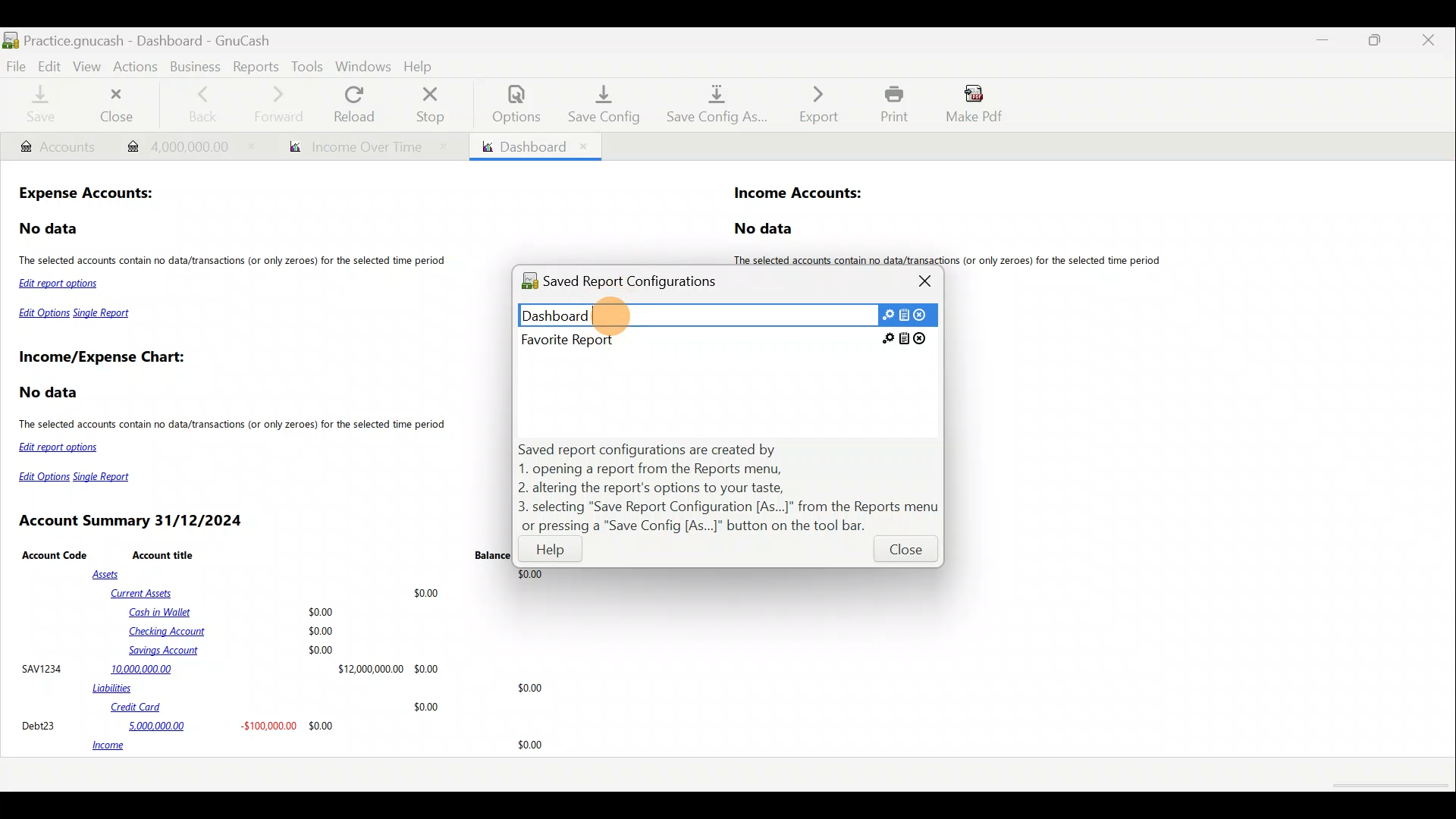 Image resolution: width=1456 pixels, height=819 pixels. What do you see at coordinates (89, 67) in the screenshot?
I see `View` at bounding box center [89, 67].